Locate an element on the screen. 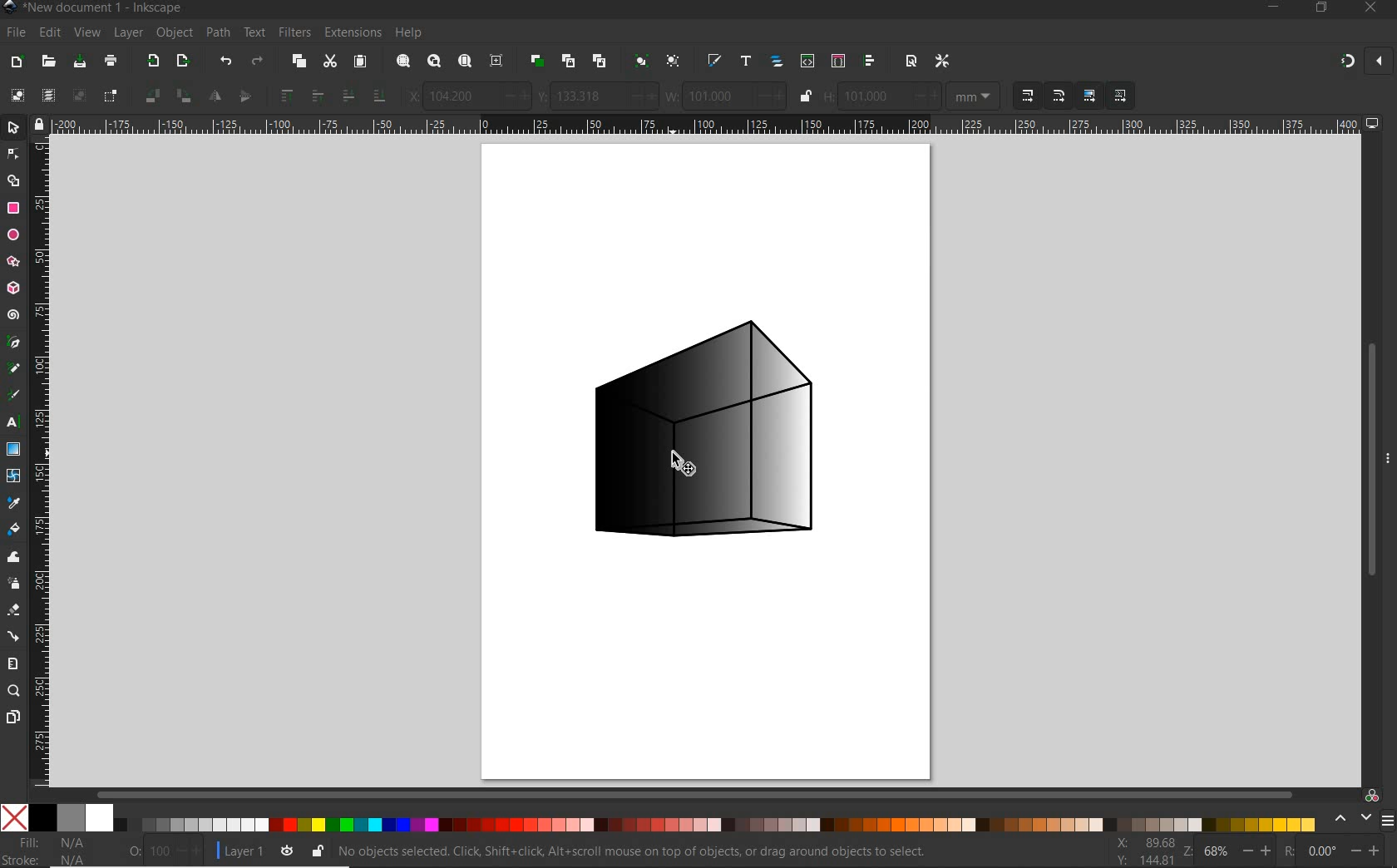 The image size is (1397, 868). NODE TOOL is located at coordinates (14, 152).